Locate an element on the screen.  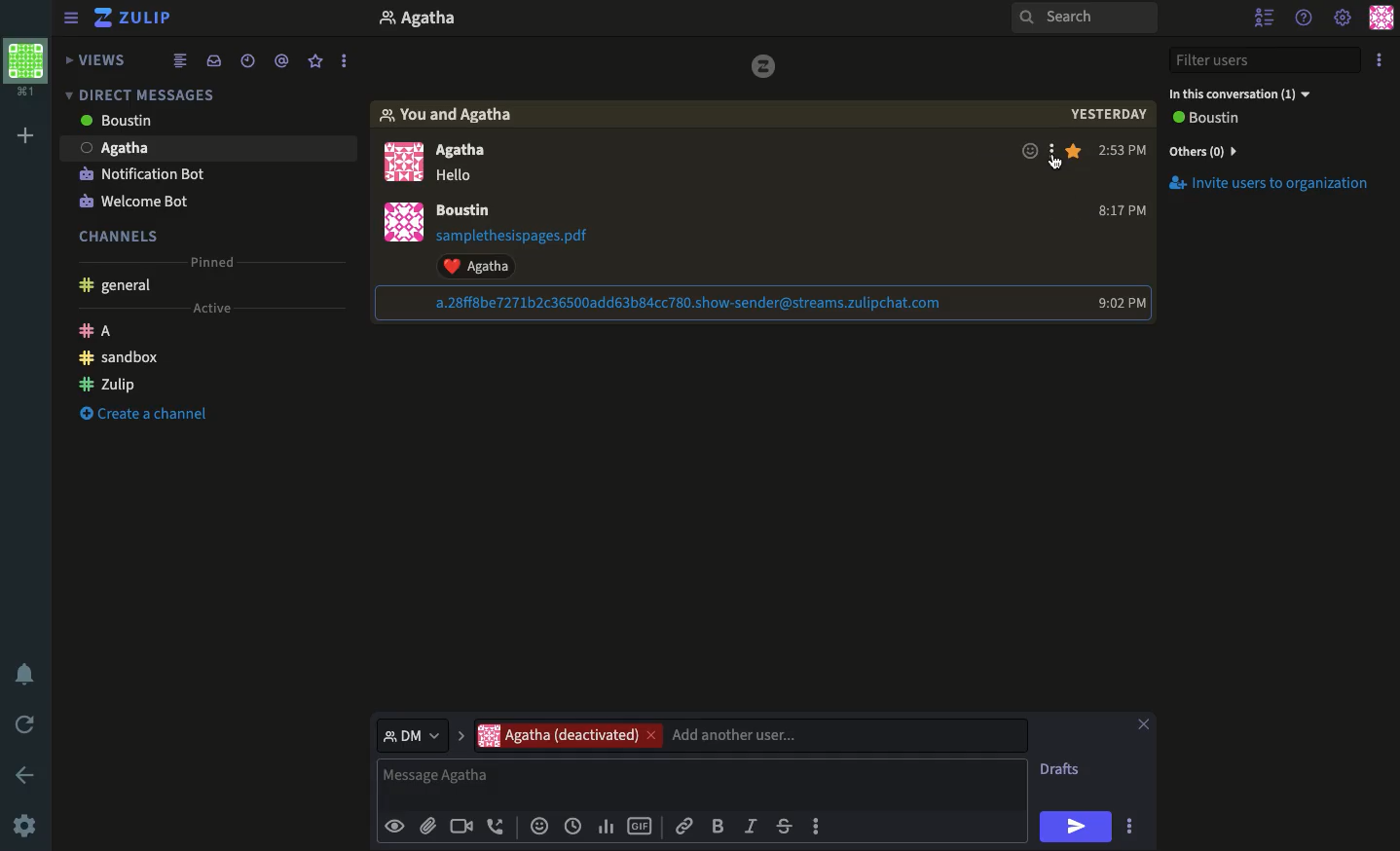
View all users is located at coordinates (1223, 120).